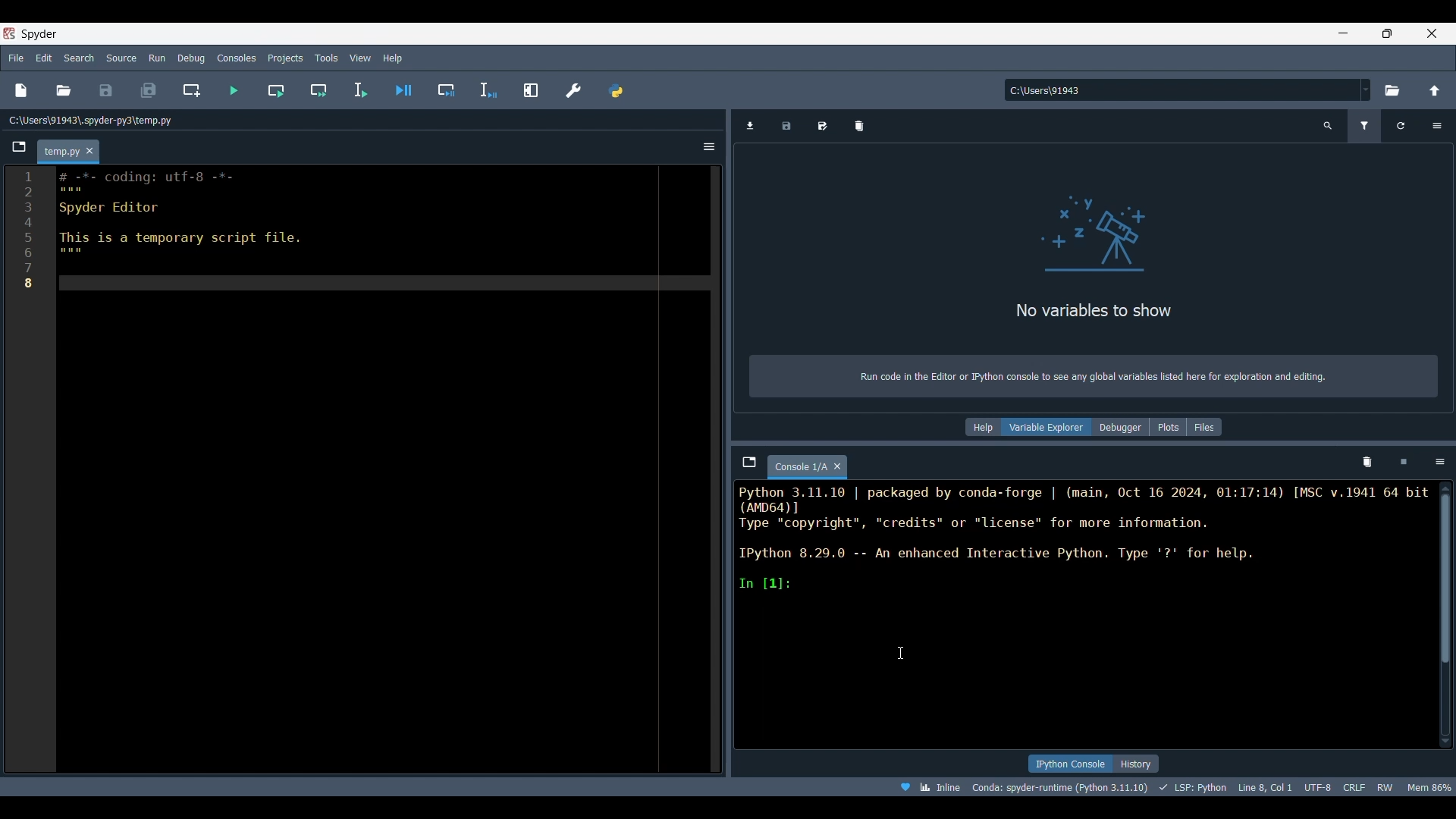 The height and width of the screenshot is (819, 1456). Describe the element at coordinates (20, 90) in the screenshot. I see `New` at that location.